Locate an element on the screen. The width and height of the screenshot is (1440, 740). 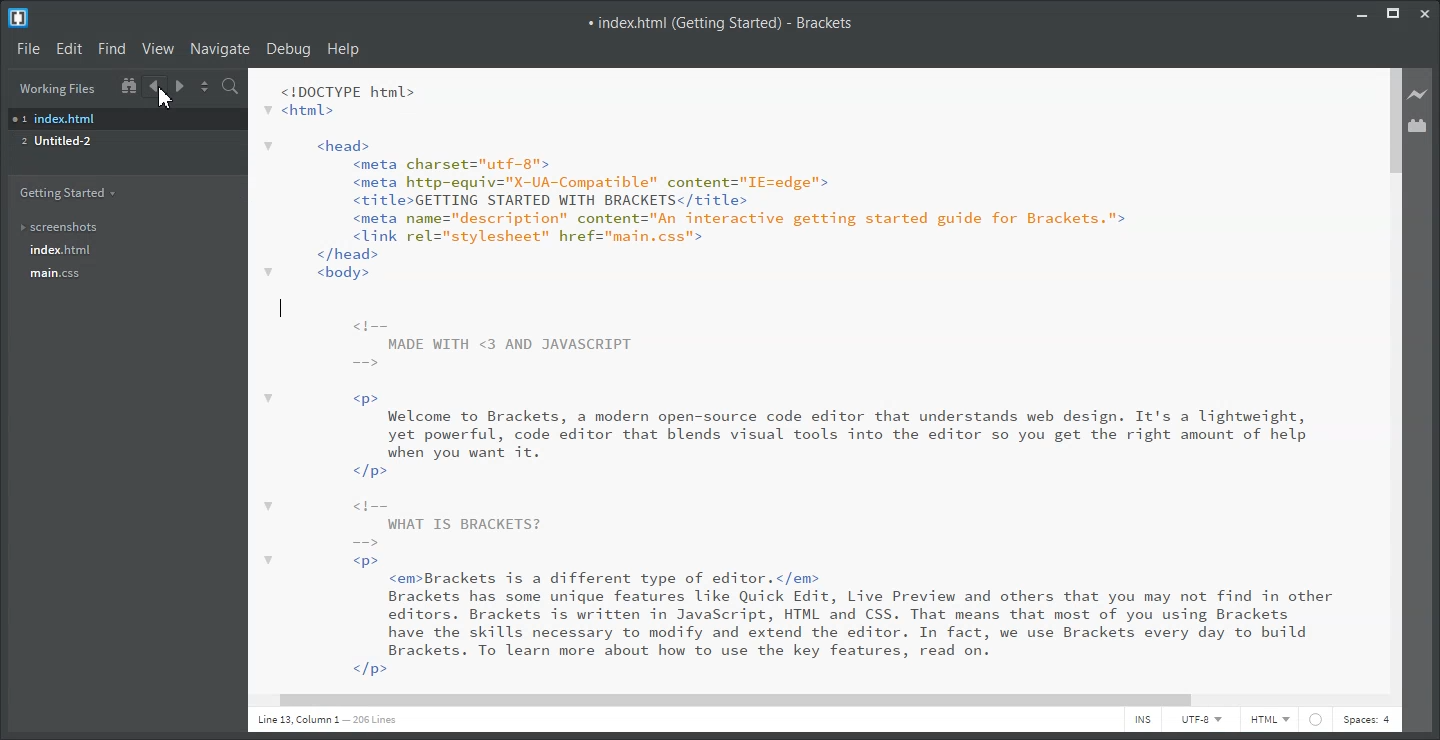
Navigate Forward is located at coordinates (184, 86).